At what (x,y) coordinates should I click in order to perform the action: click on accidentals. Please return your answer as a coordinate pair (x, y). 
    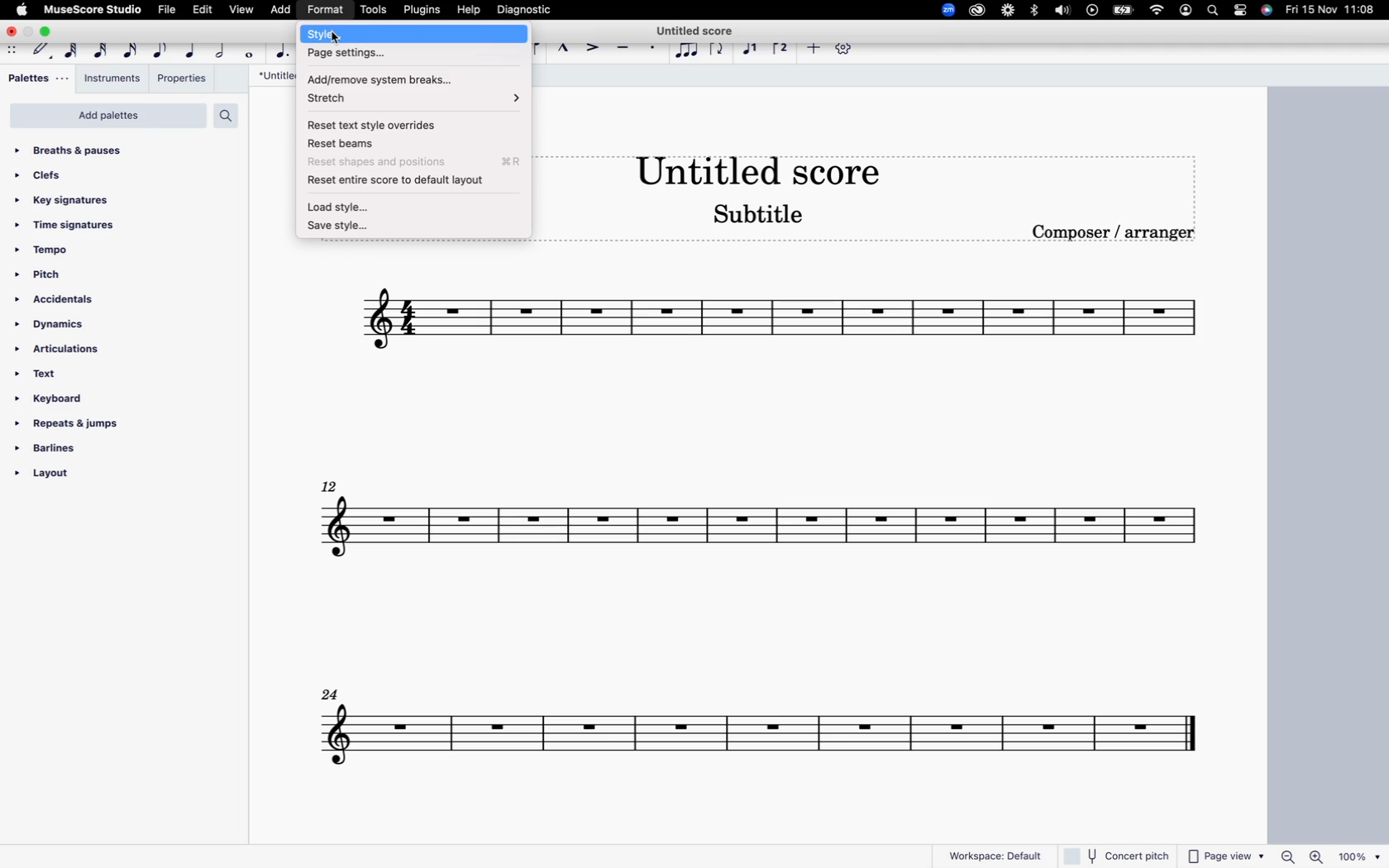
    Looking at the image, I should click on (55, 300).